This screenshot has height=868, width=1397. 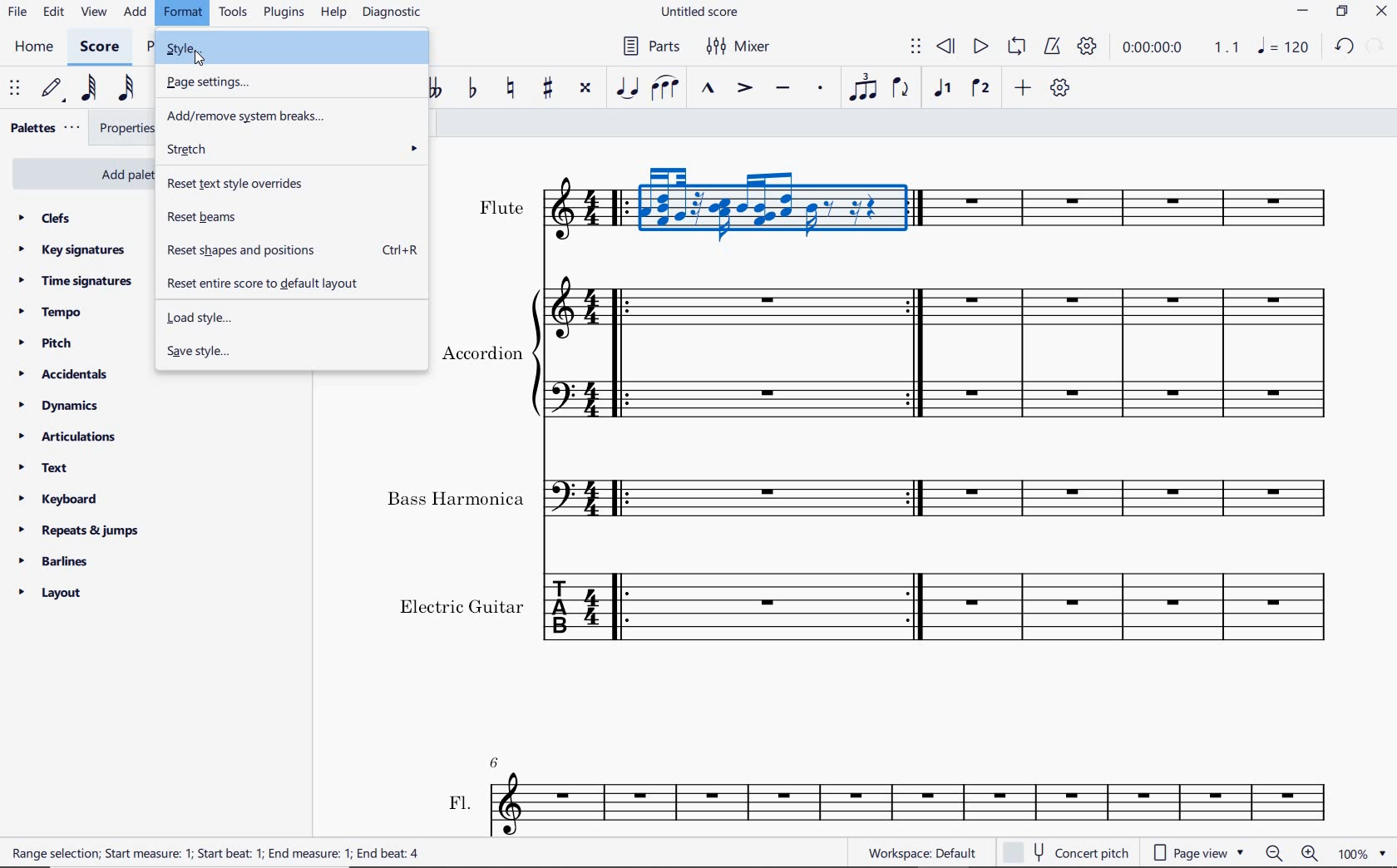 What do you see at coordinates (886, 794) in the screenshot?
I see `FL` at bounding box center [886, 794].